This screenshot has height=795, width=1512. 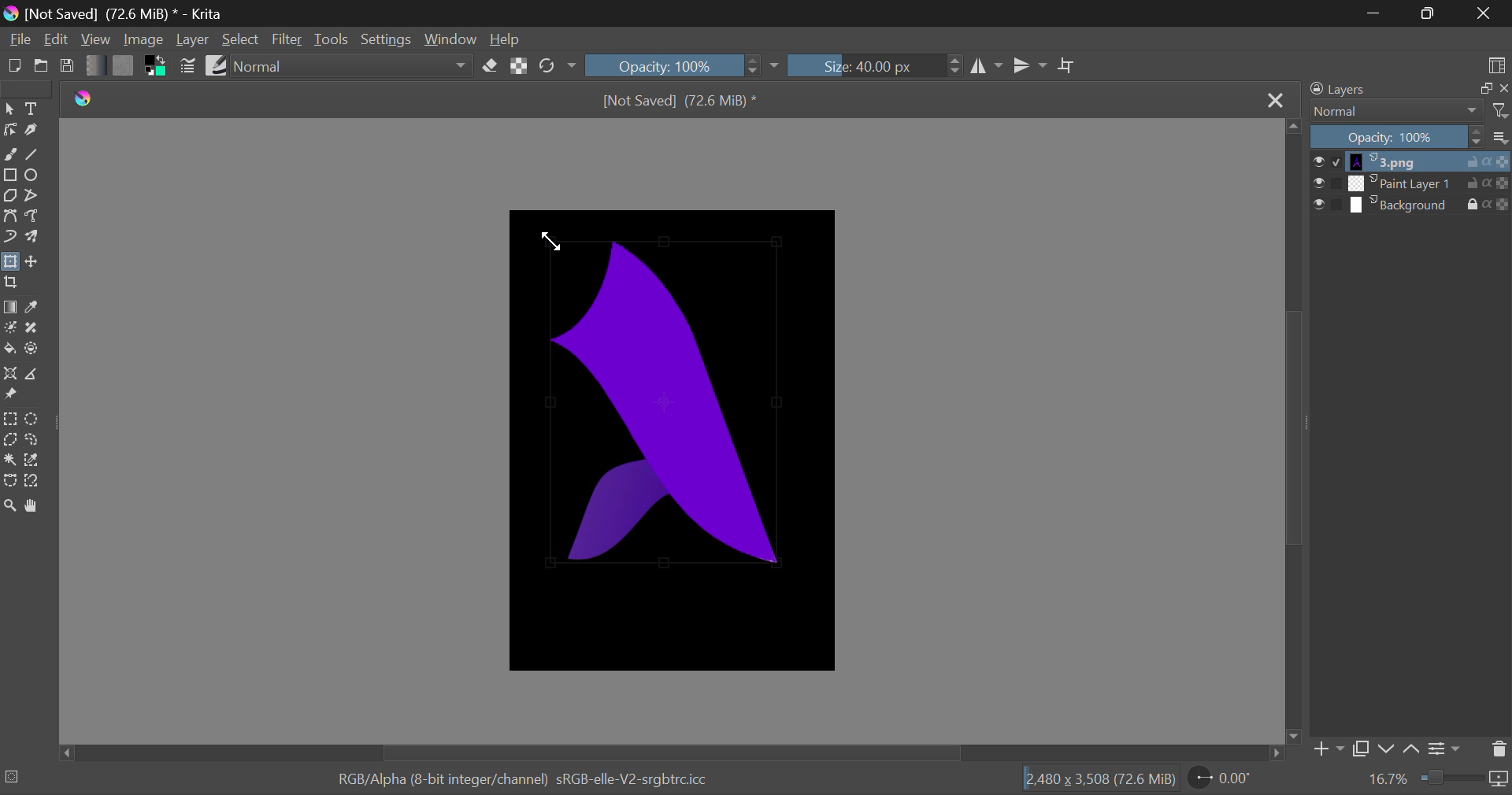 I want to click on Bezier Curve Selection, so click(x=10, y=480).